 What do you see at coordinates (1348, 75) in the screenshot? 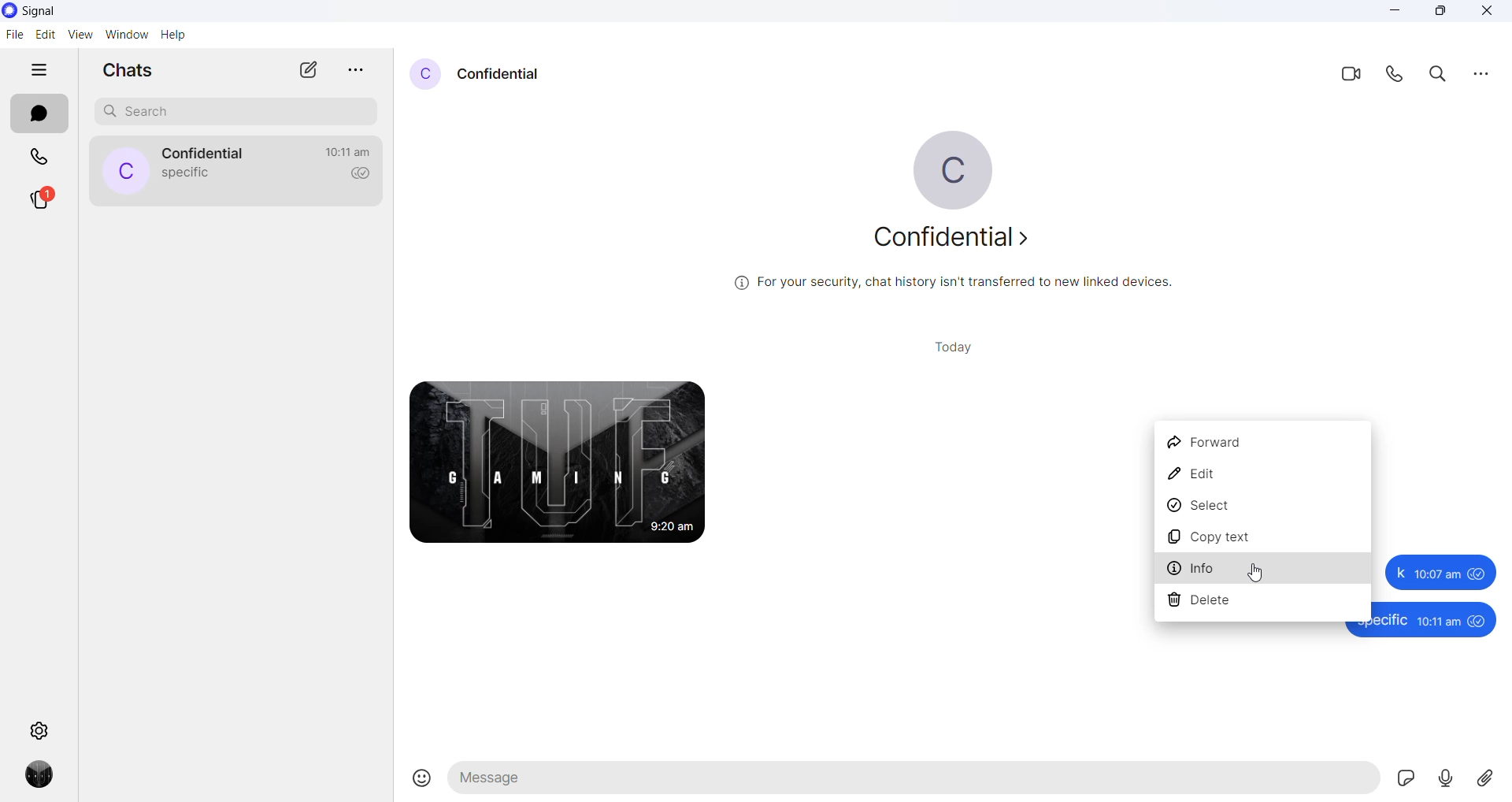
I see `video call` at bounding box center [1348, 75].